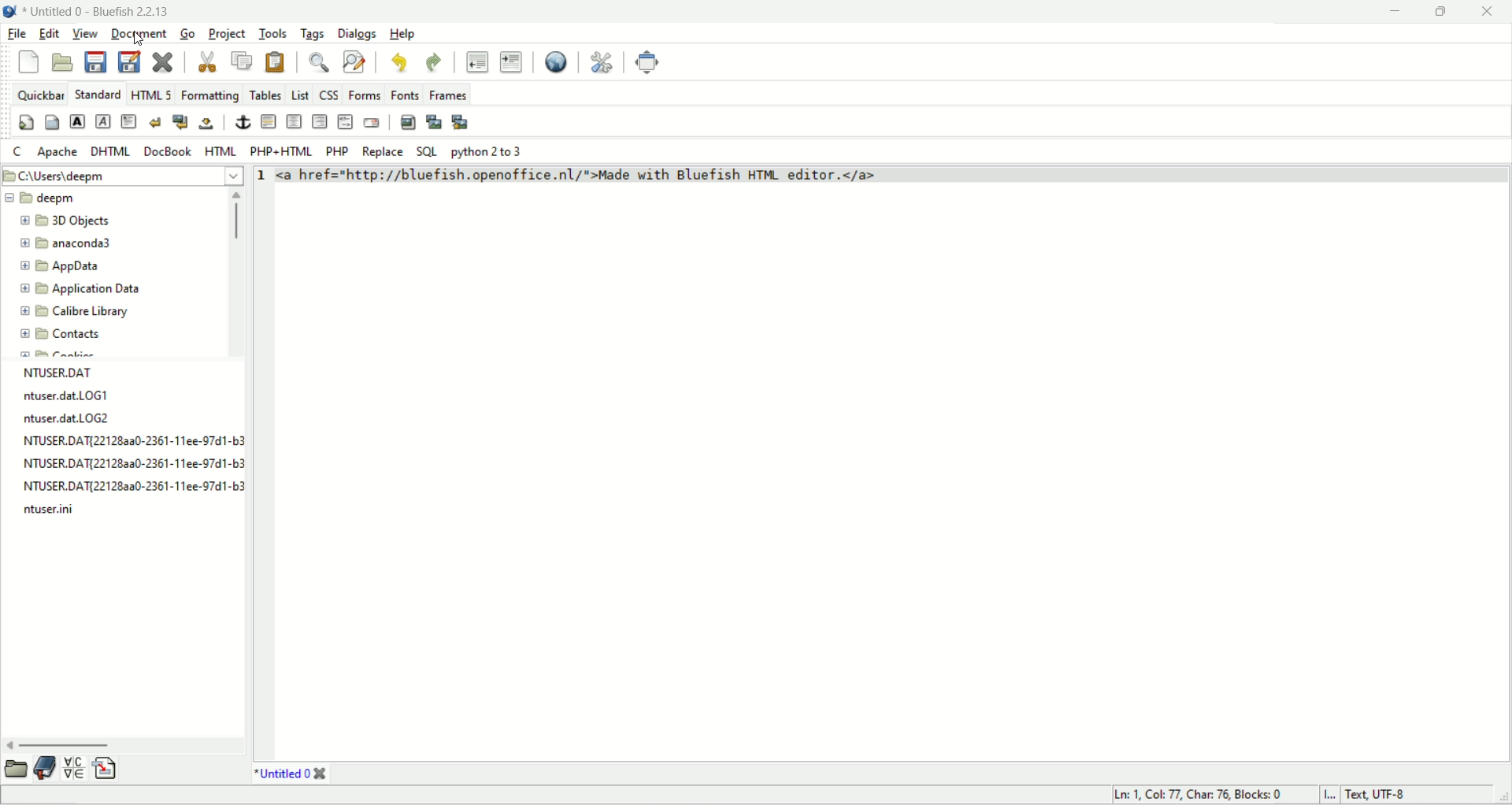 The image size is (1512, 805). I want to click on frames, so click(447, 95).